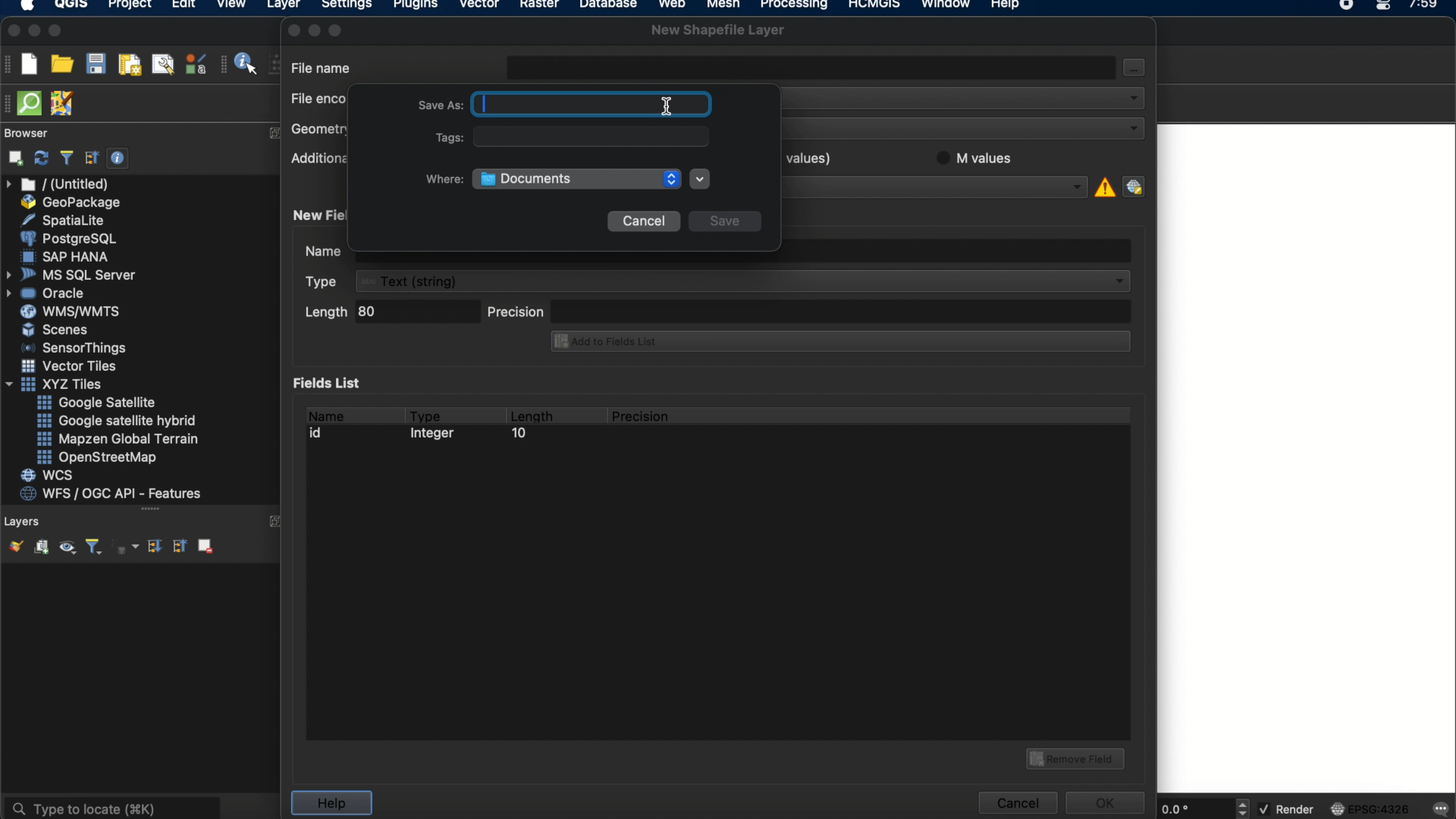  I want to click on options, so click(1136, 71).